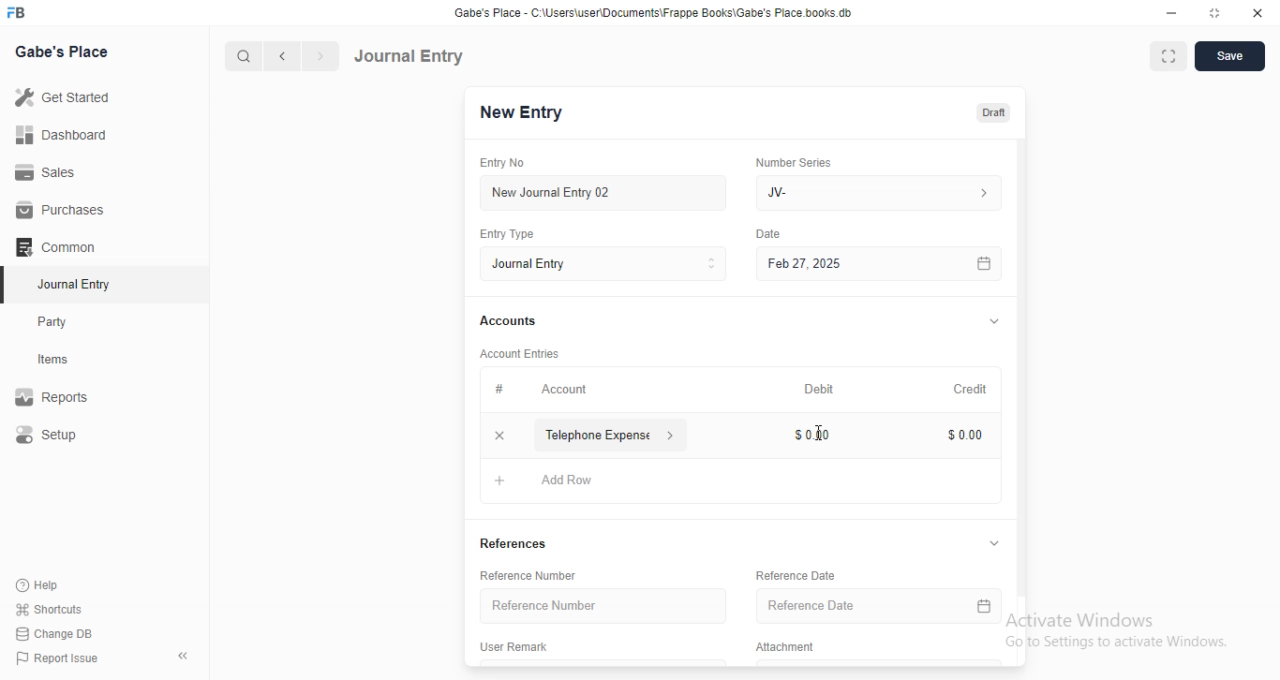  I want to click on Journal Entry, so click(412, 55).